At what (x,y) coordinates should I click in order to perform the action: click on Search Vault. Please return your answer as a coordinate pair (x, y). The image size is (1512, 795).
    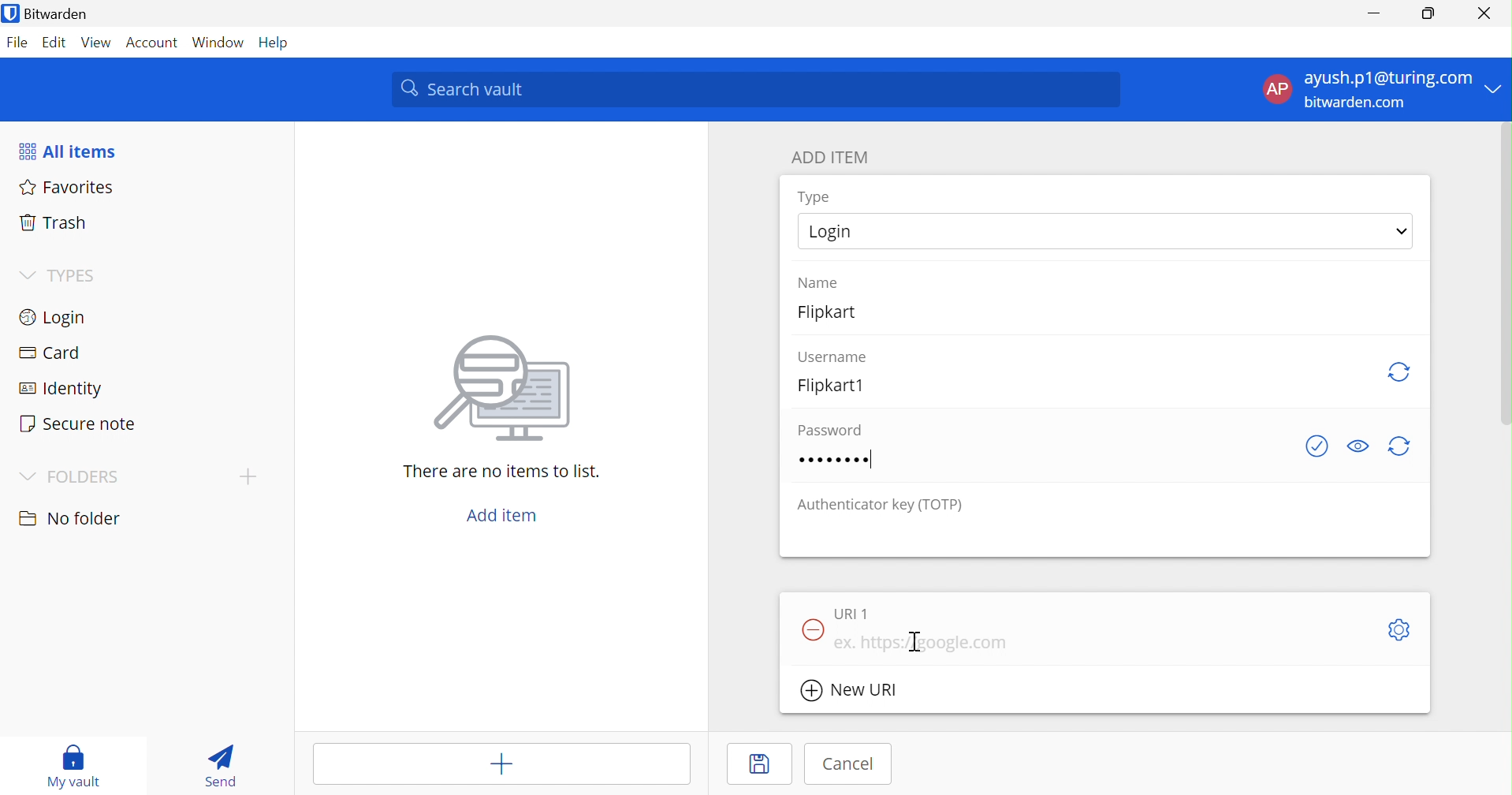
    Looking at the image, I should click on (757, 89).